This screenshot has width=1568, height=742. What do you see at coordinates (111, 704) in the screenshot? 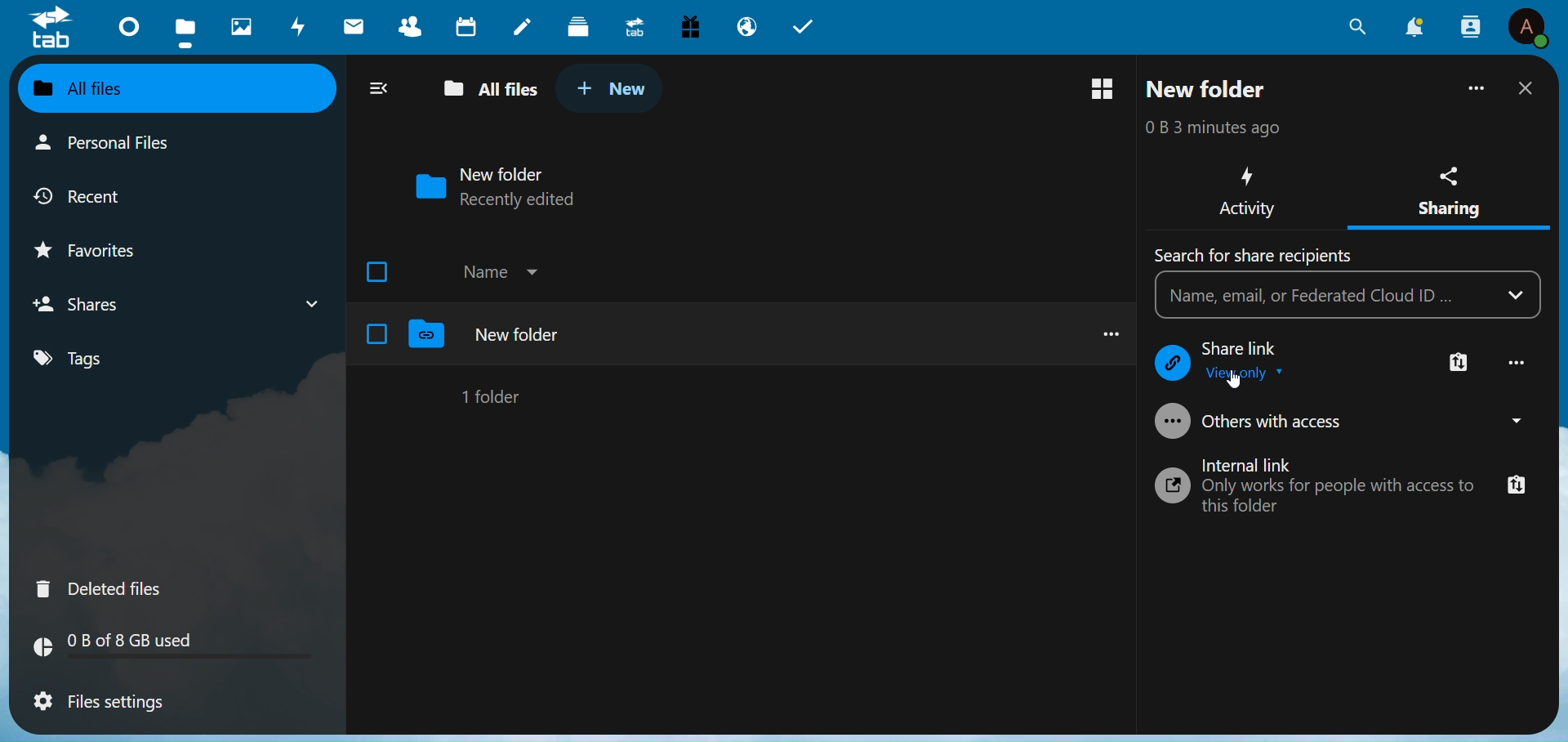
I see `File Settings` at bounding box center [111, 704].